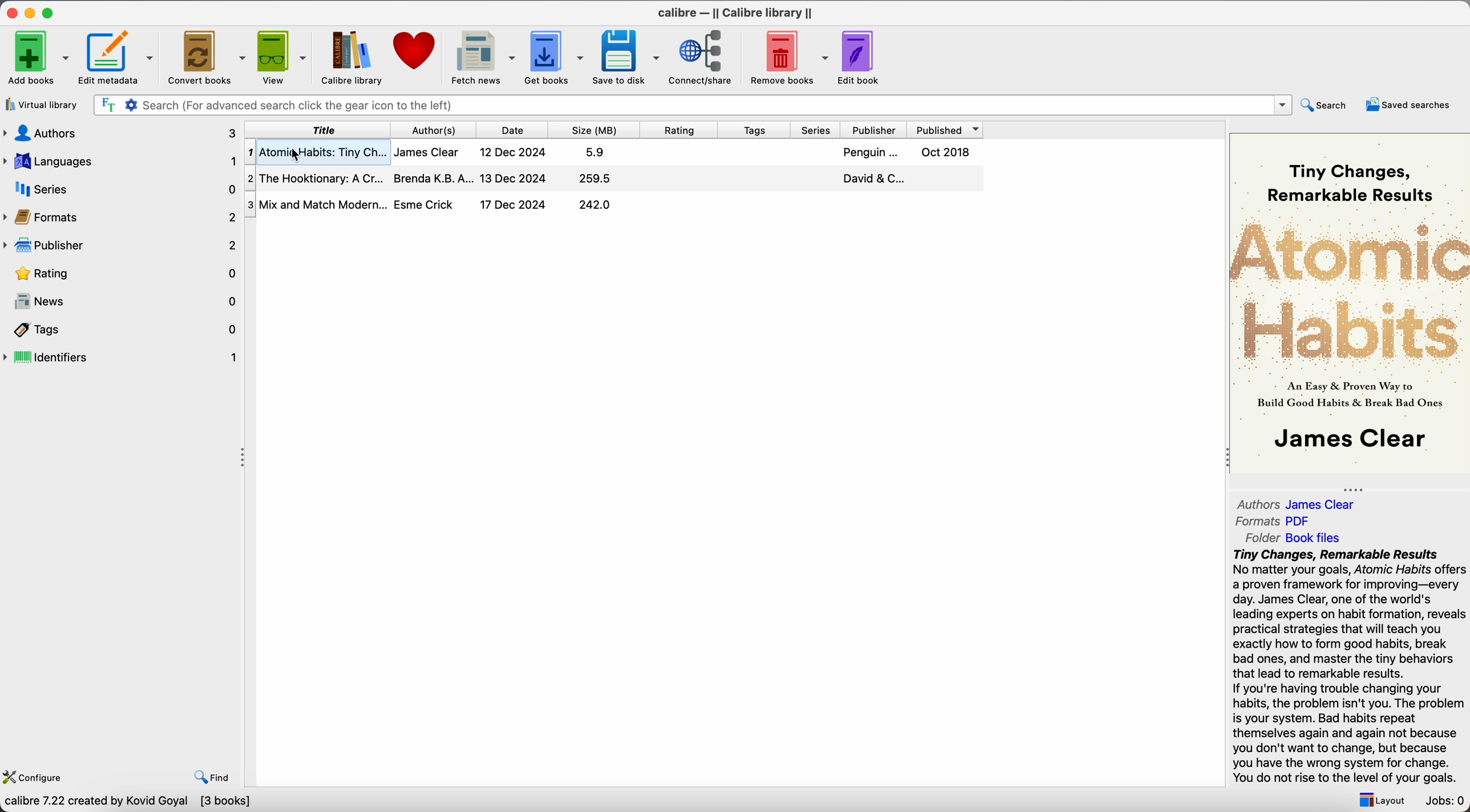  Describe the element at coordinates (437, 130) in the screenshot. I see `authors` at that location.